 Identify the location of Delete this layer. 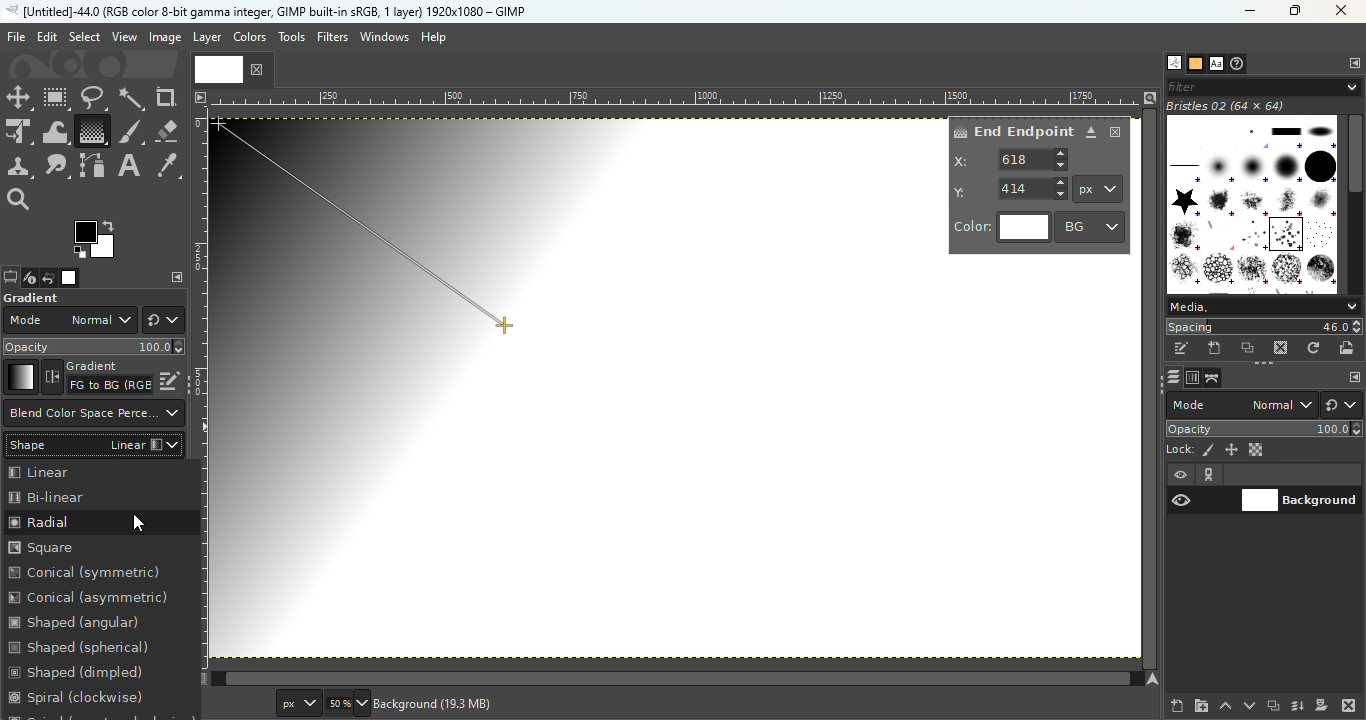
(1350, 706).